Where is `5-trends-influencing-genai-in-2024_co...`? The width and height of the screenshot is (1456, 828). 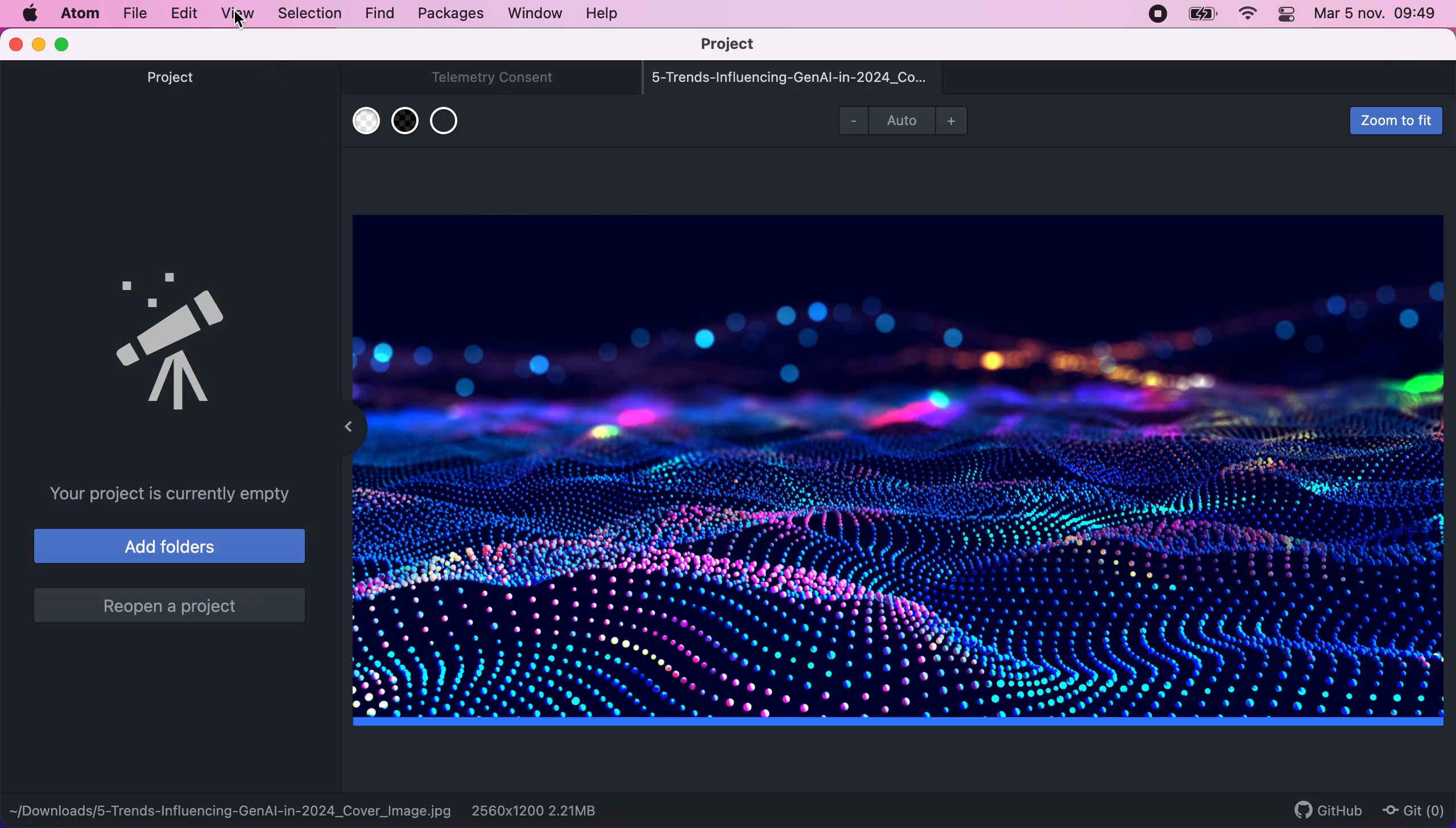
5-trends-influencing-genai-in-2024_co... is located at coordinates (819, 79).